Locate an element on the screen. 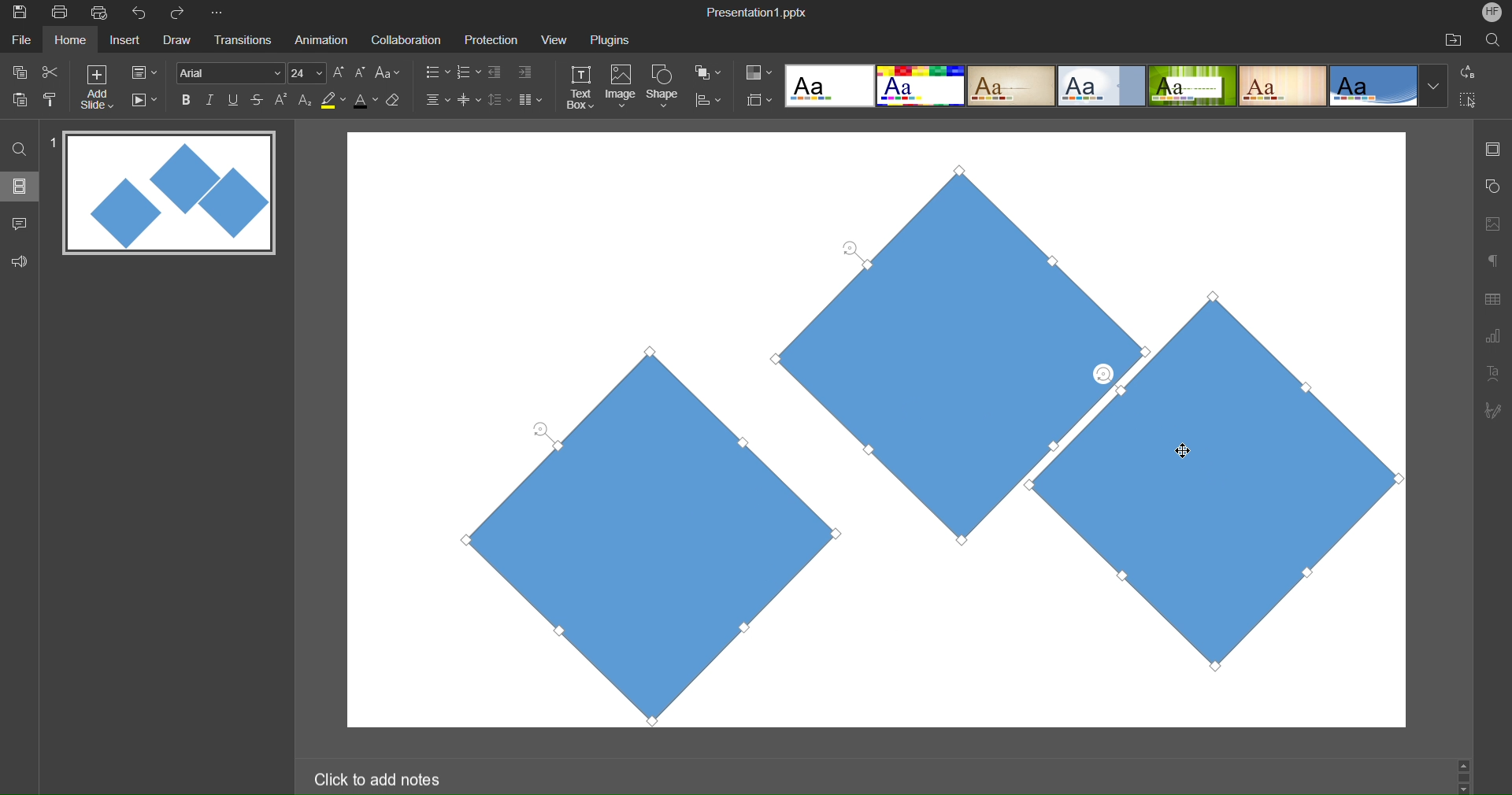 Image resolution: width=1512 pixels, height=795 pixels. chat is located at coordinates (21, 221).